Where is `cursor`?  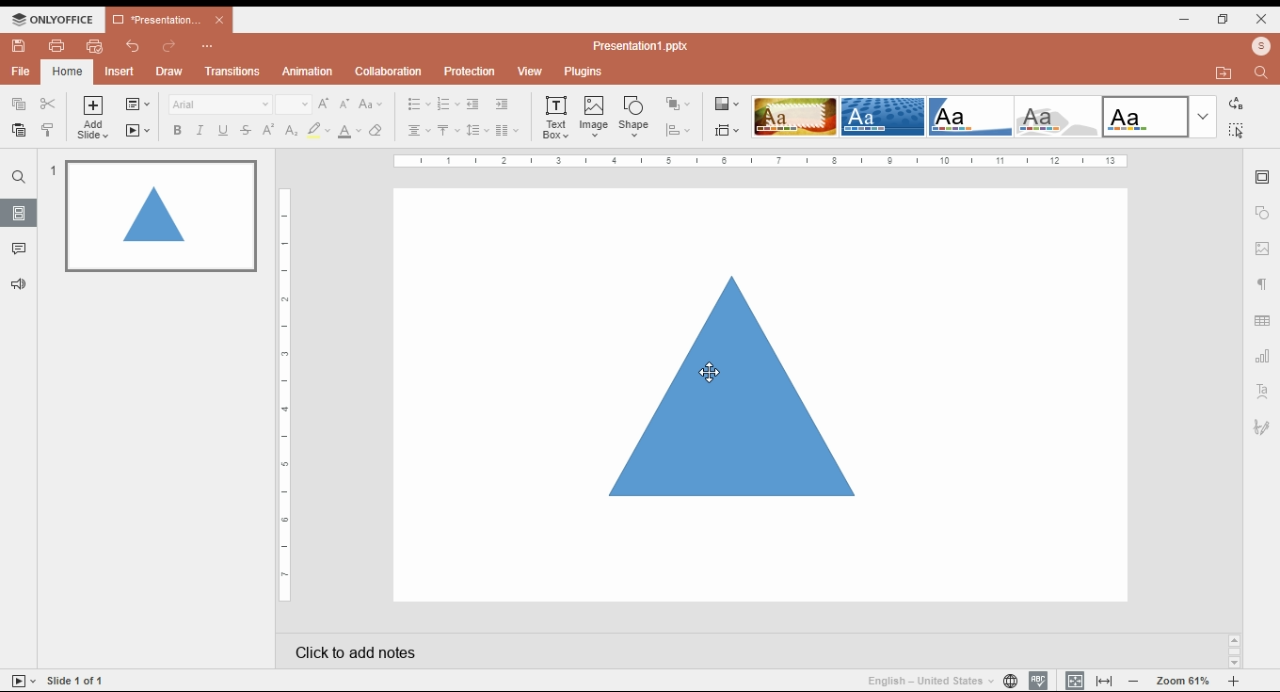 cursor is located at coordinates (711, 375).